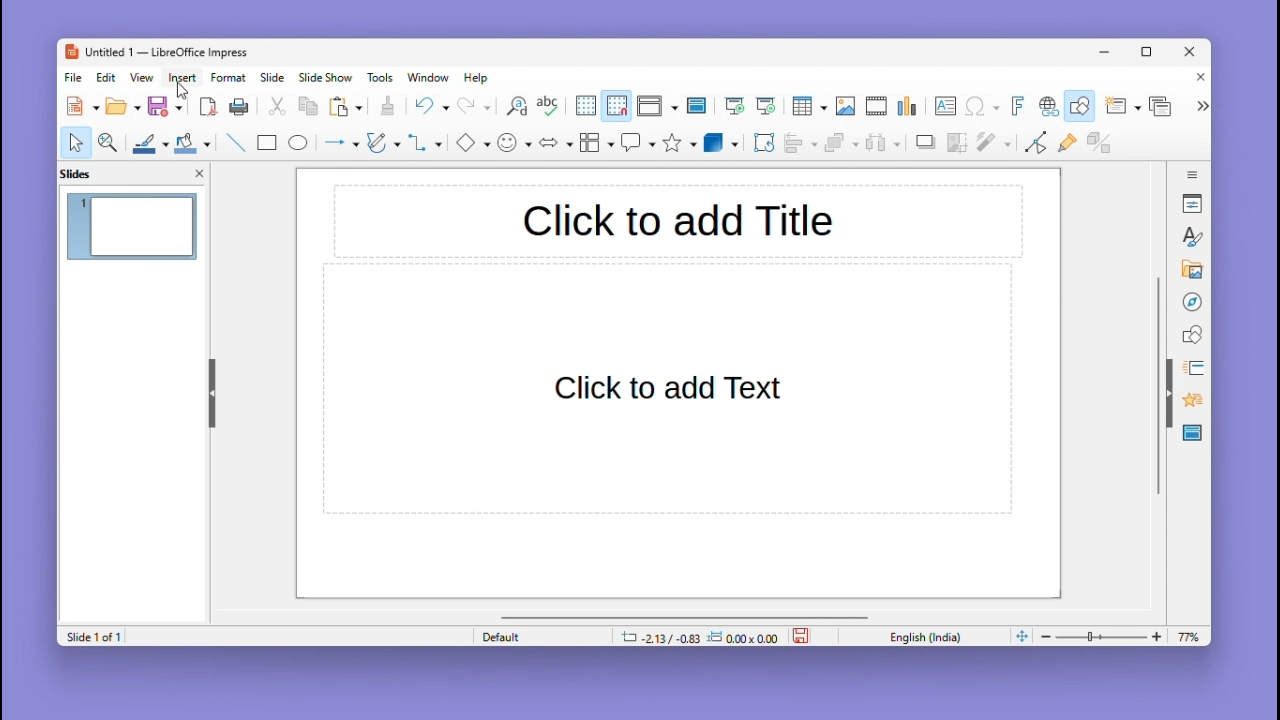  I want to click on English, so click(930, 636).